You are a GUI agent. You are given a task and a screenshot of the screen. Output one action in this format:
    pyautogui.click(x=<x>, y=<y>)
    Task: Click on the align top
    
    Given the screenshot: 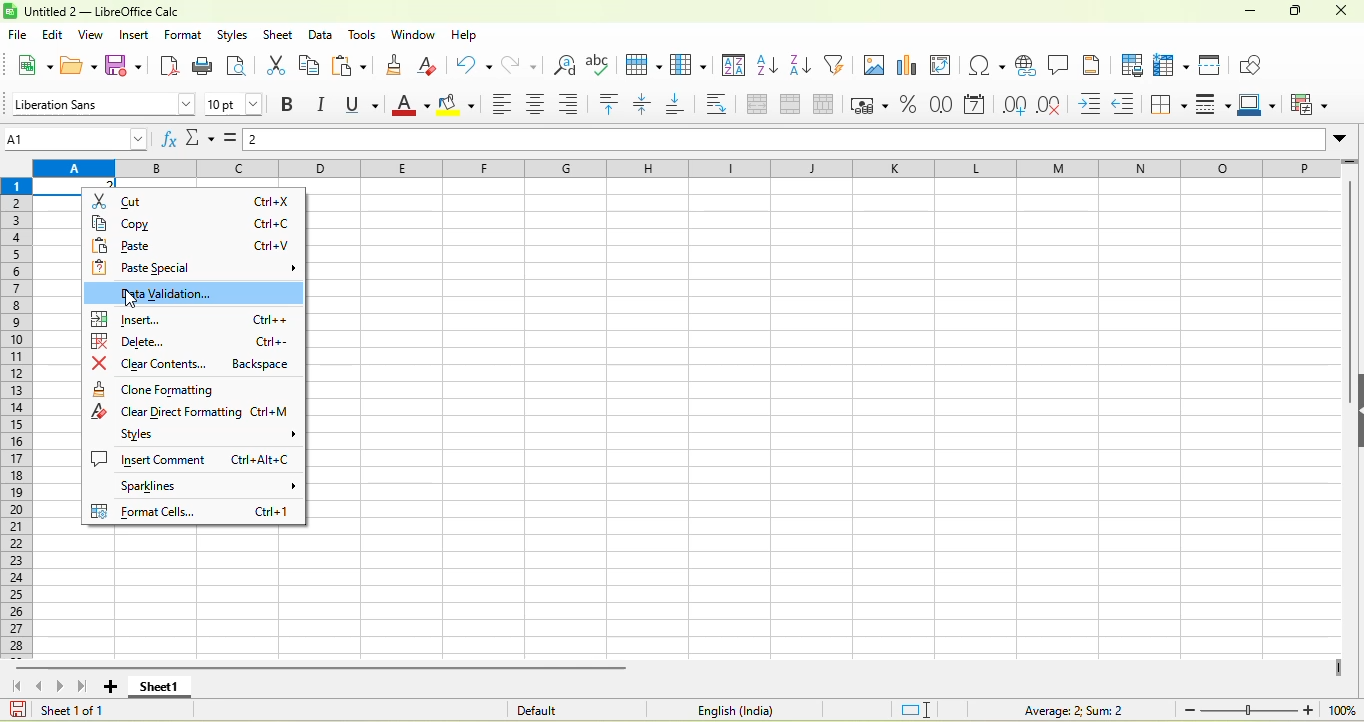 What is the action you would take?
    pyautogui.click(x=612, y=105)
    